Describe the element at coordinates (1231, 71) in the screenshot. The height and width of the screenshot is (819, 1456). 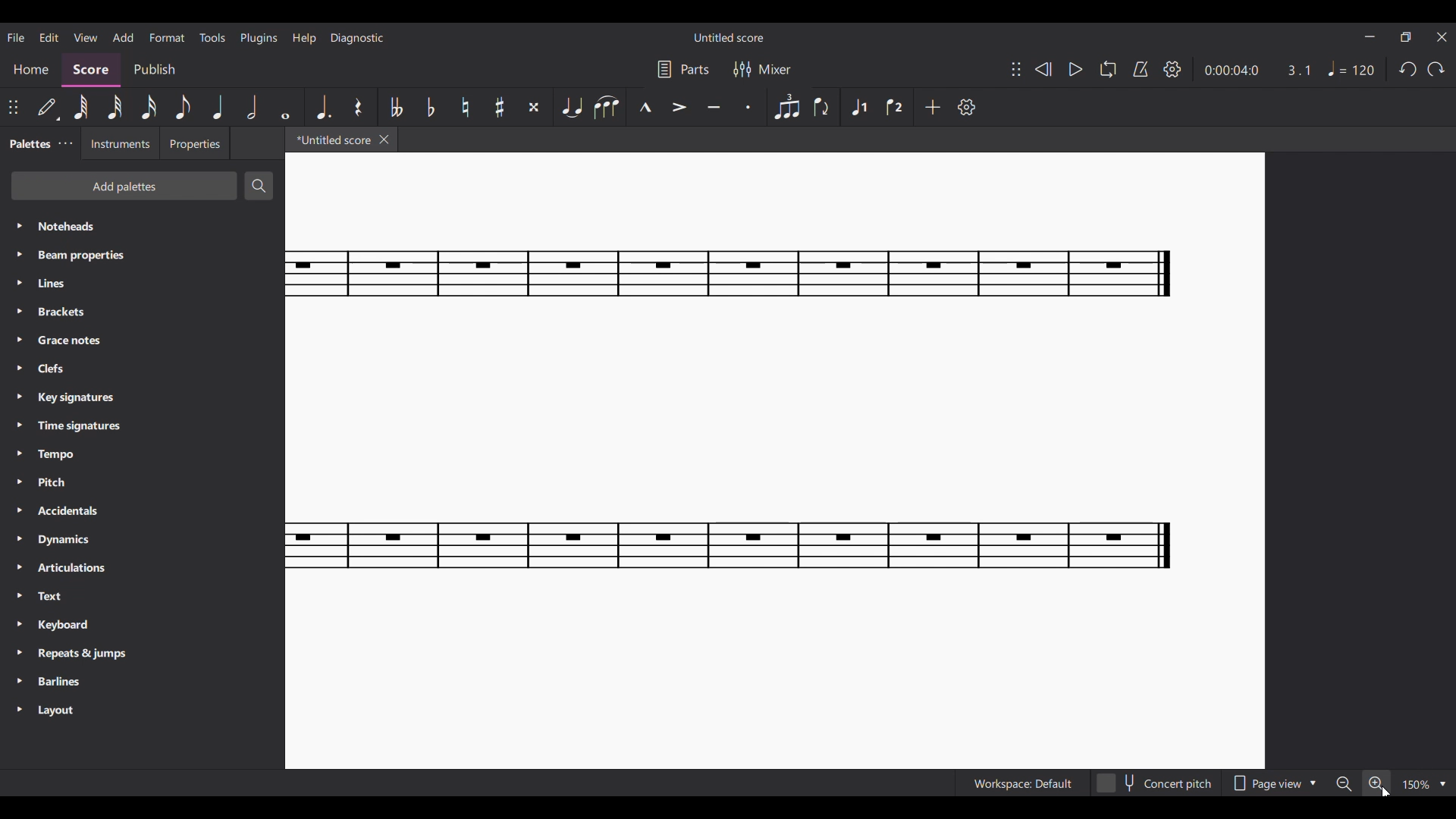
I see `Current duration` at that location.